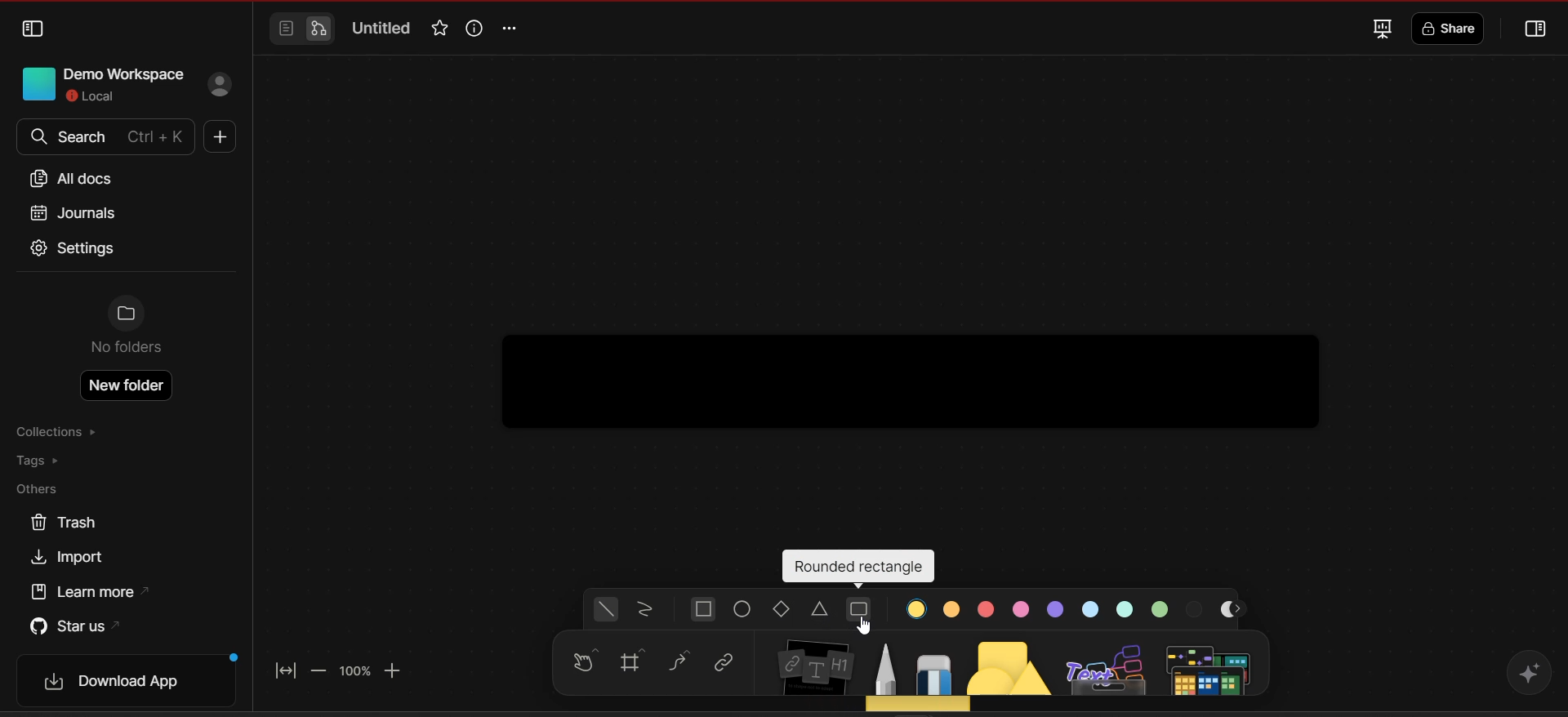 The height and width of the screenshot is (717, 1568). What do you see at coordinates (472, 28) in the screenshot?
I see `view info` at bounding box center [472, 28].